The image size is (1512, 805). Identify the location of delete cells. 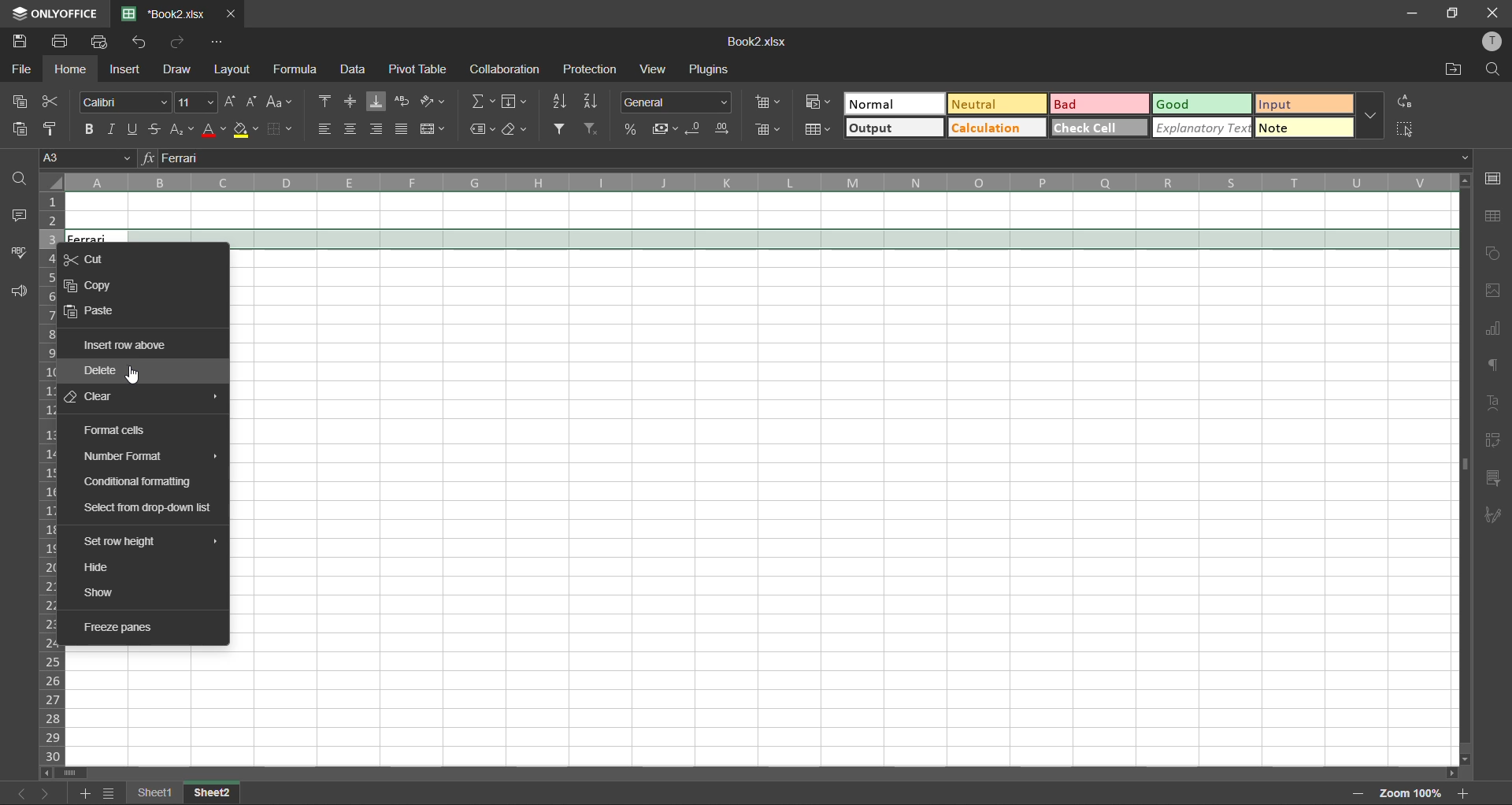
(769, 131).